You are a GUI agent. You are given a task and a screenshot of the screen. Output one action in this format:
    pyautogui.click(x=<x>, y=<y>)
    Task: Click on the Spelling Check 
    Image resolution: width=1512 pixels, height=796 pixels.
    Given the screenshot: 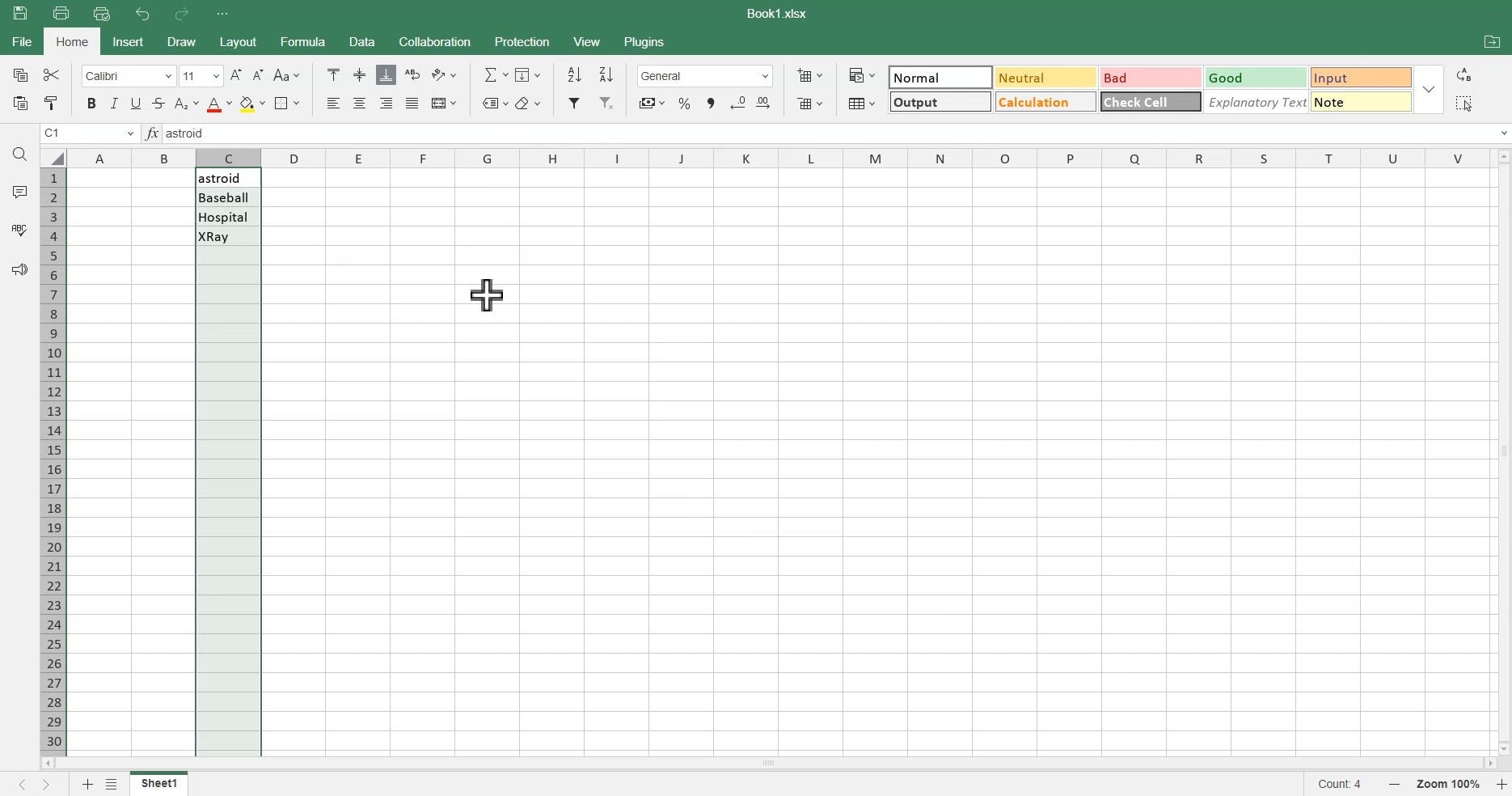 What is the action you would take?
    pyautogui.click(x=20, y=228)
    